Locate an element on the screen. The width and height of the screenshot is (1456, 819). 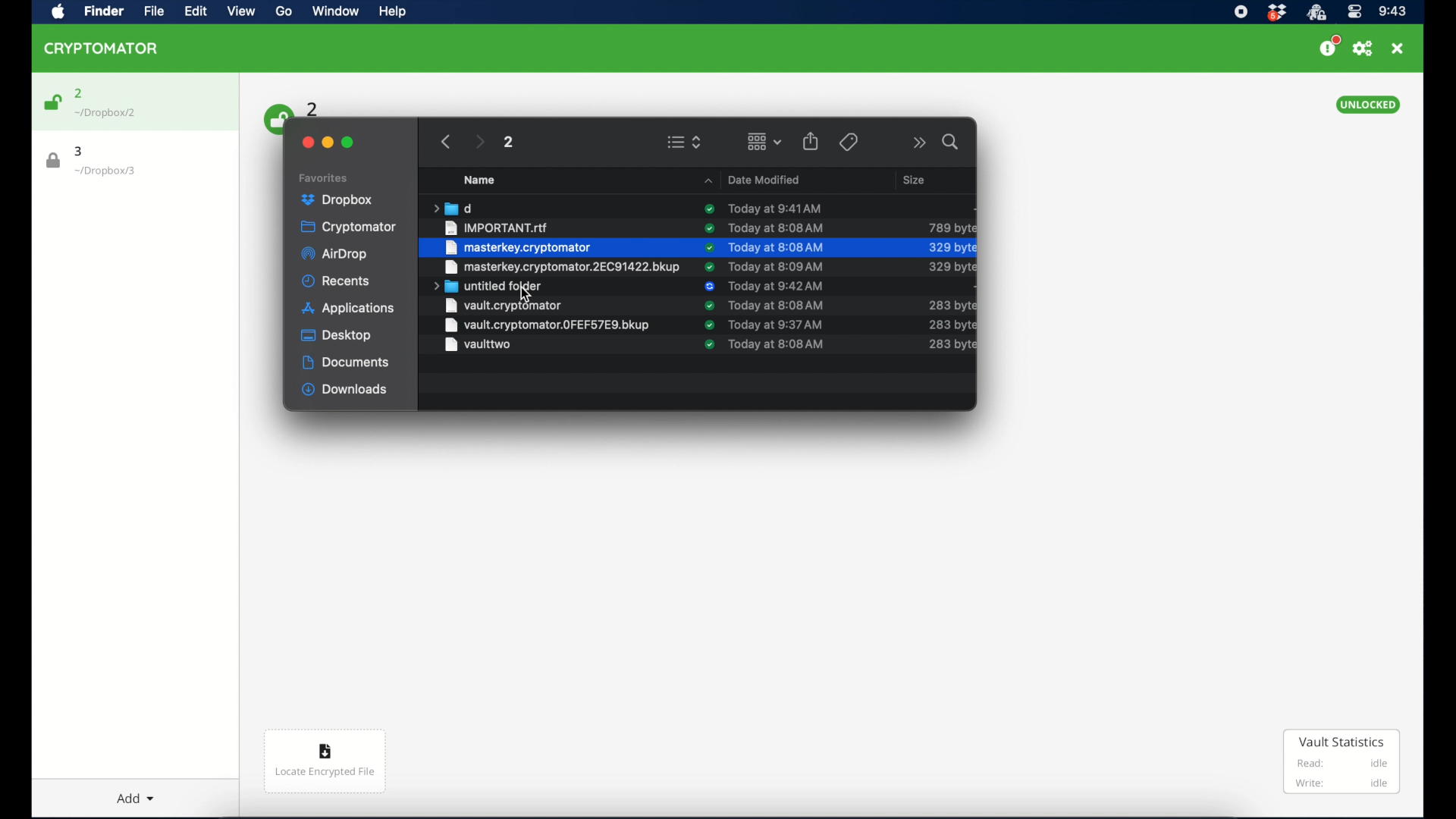
location is located at coordinates (106, 113).